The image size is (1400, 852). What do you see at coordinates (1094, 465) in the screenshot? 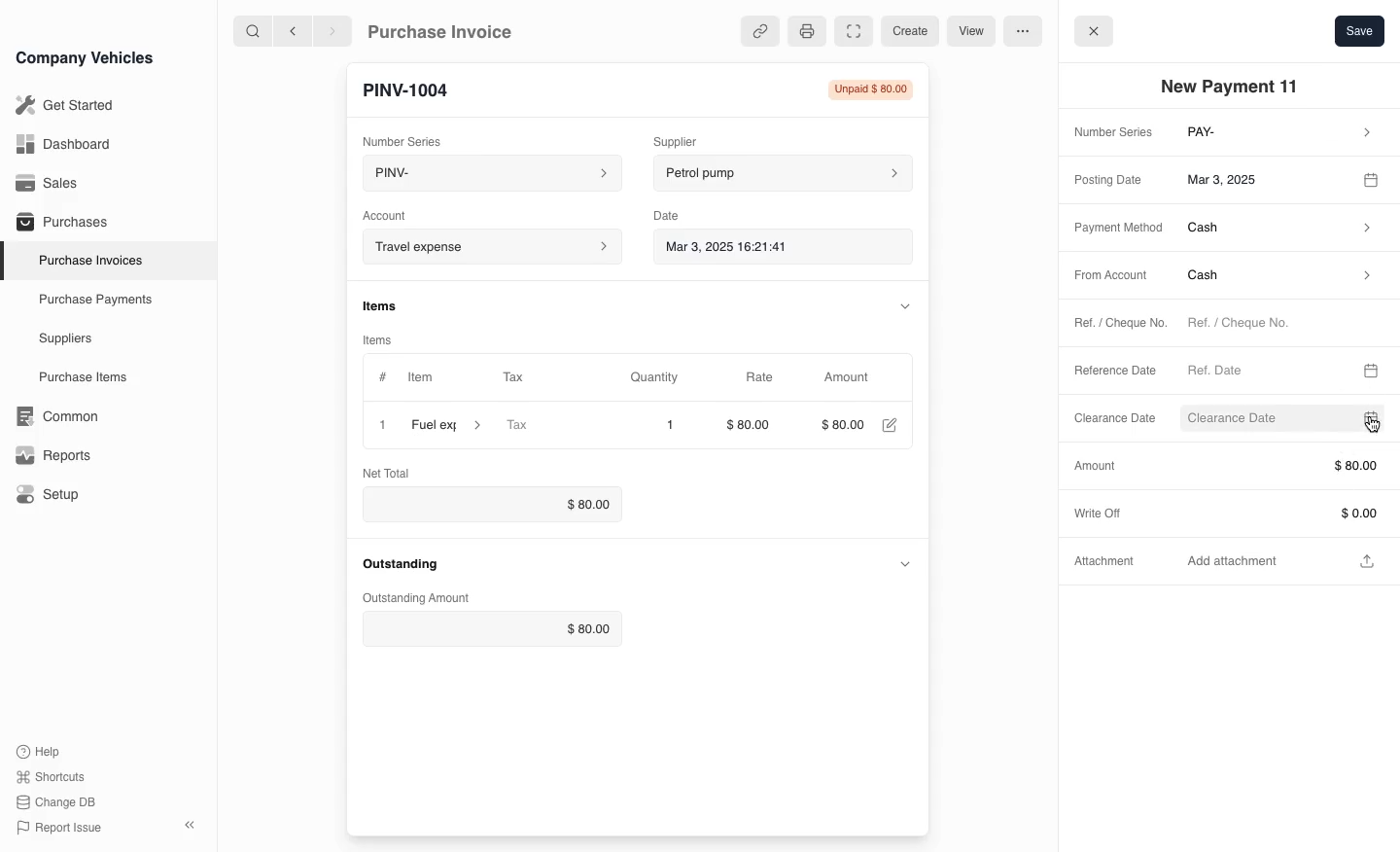
I see `Amount` at bounding box center [1094, 465].